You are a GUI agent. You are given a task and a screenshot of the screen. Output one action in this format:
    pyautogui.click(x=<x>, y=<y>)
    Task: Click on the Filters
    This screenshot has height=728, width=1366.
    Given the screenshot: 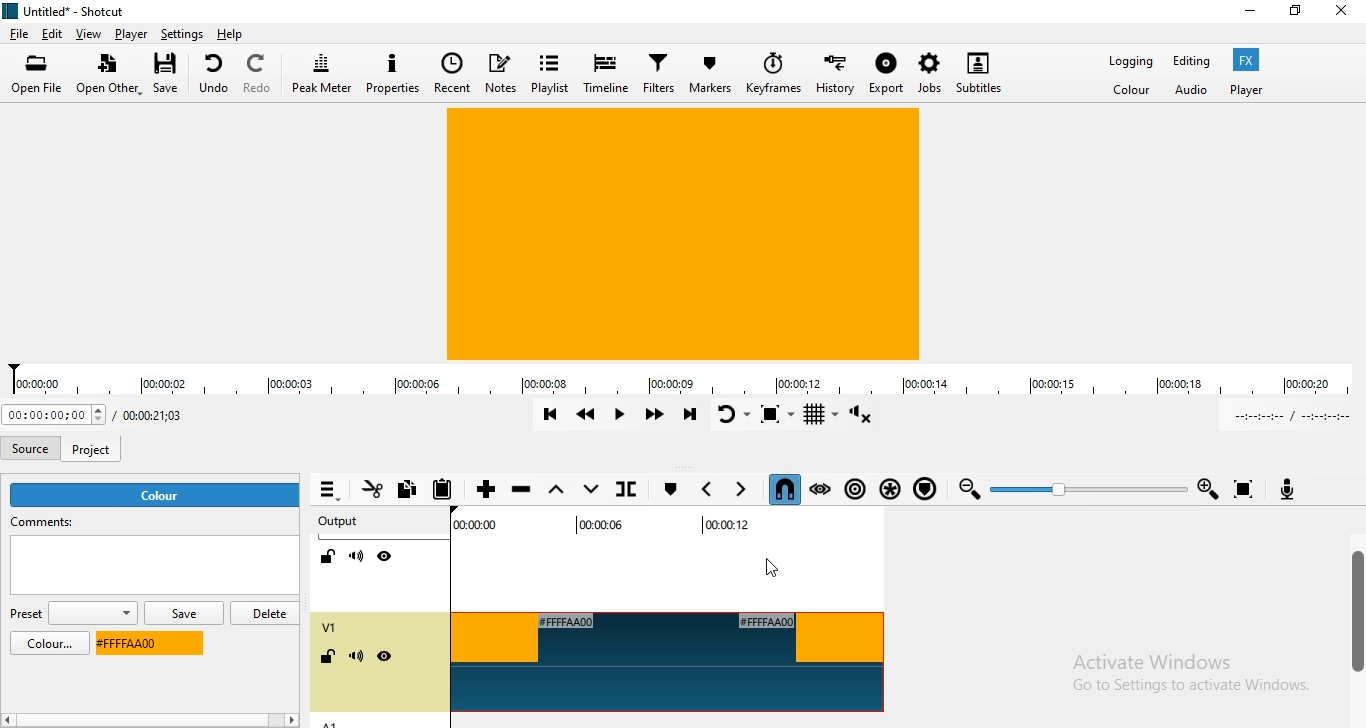 What is the action you would take?
    pyautogui.click(x=659, y=76)
    